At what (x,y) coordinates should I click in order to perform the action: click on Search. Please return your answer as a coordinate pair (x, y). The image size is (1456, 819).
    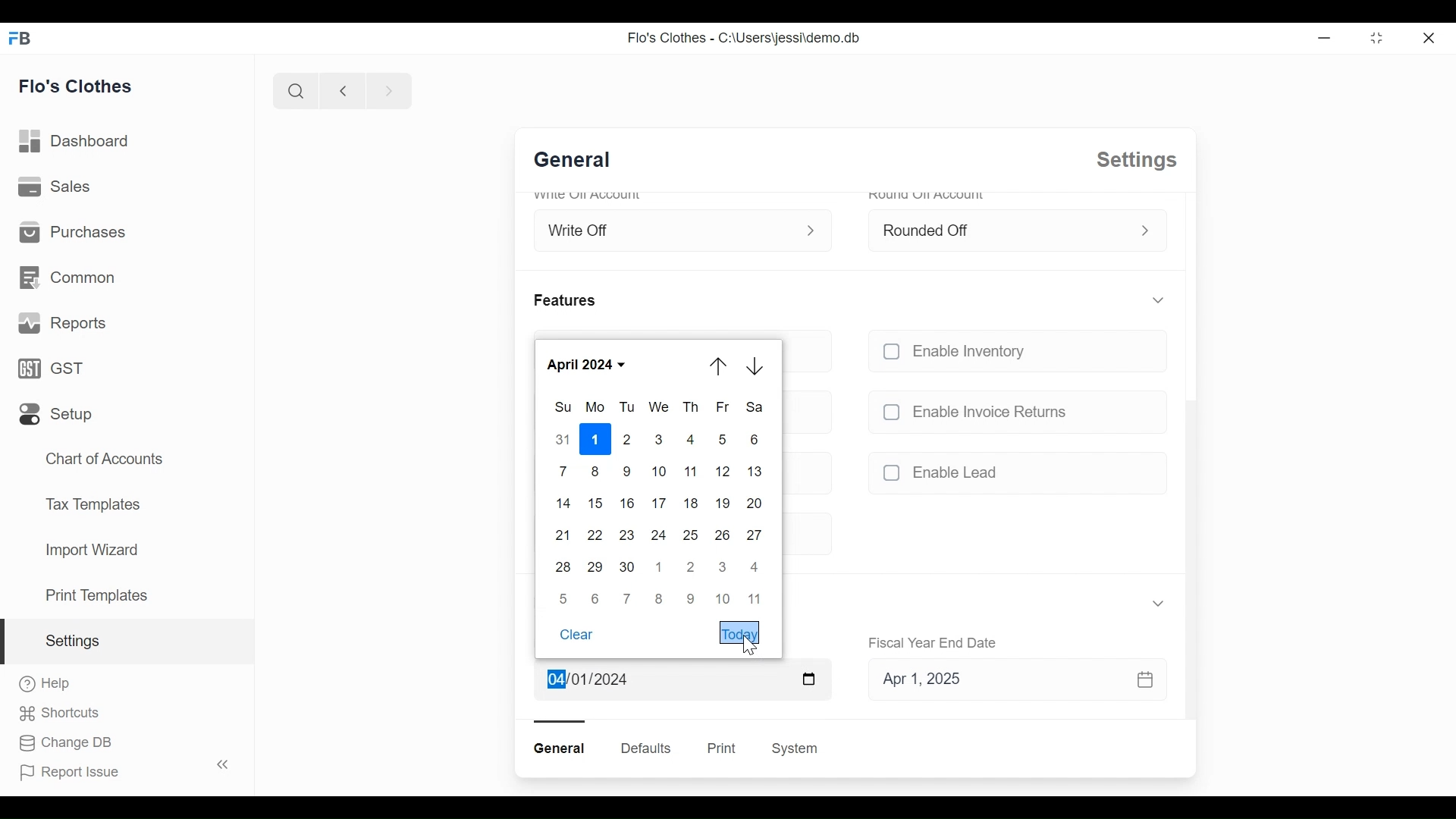
    Looking at the image, I should click on (293, 91).